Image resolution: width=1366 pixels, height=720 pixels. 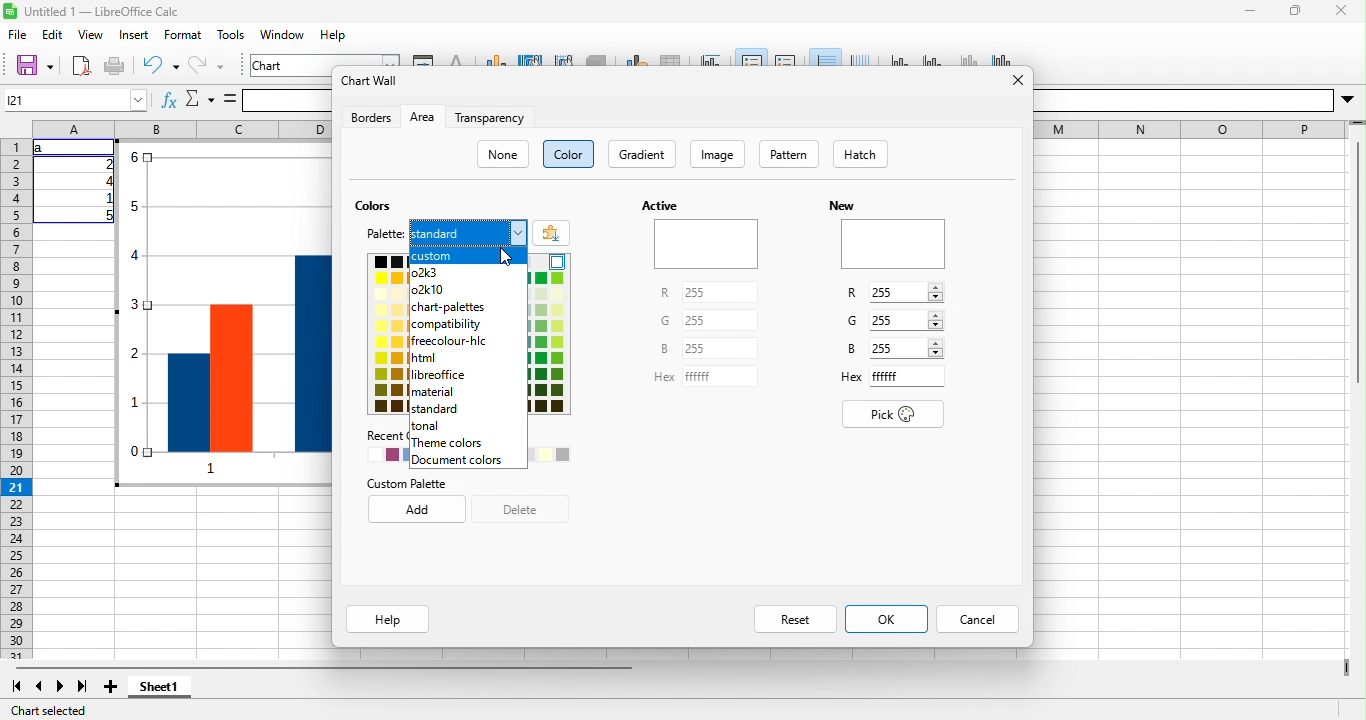 I want to click on sheet1, so click(x=159, y=686).